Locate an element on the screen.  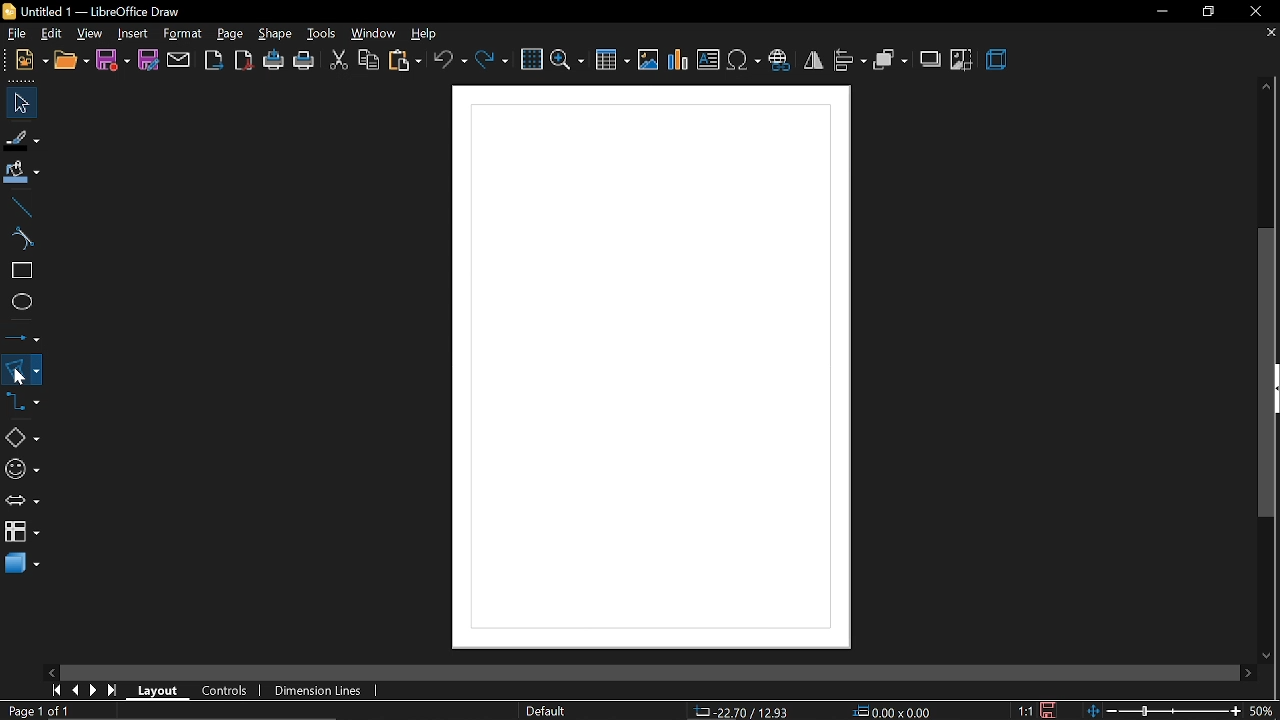
print is located at coordinates (305, 61).